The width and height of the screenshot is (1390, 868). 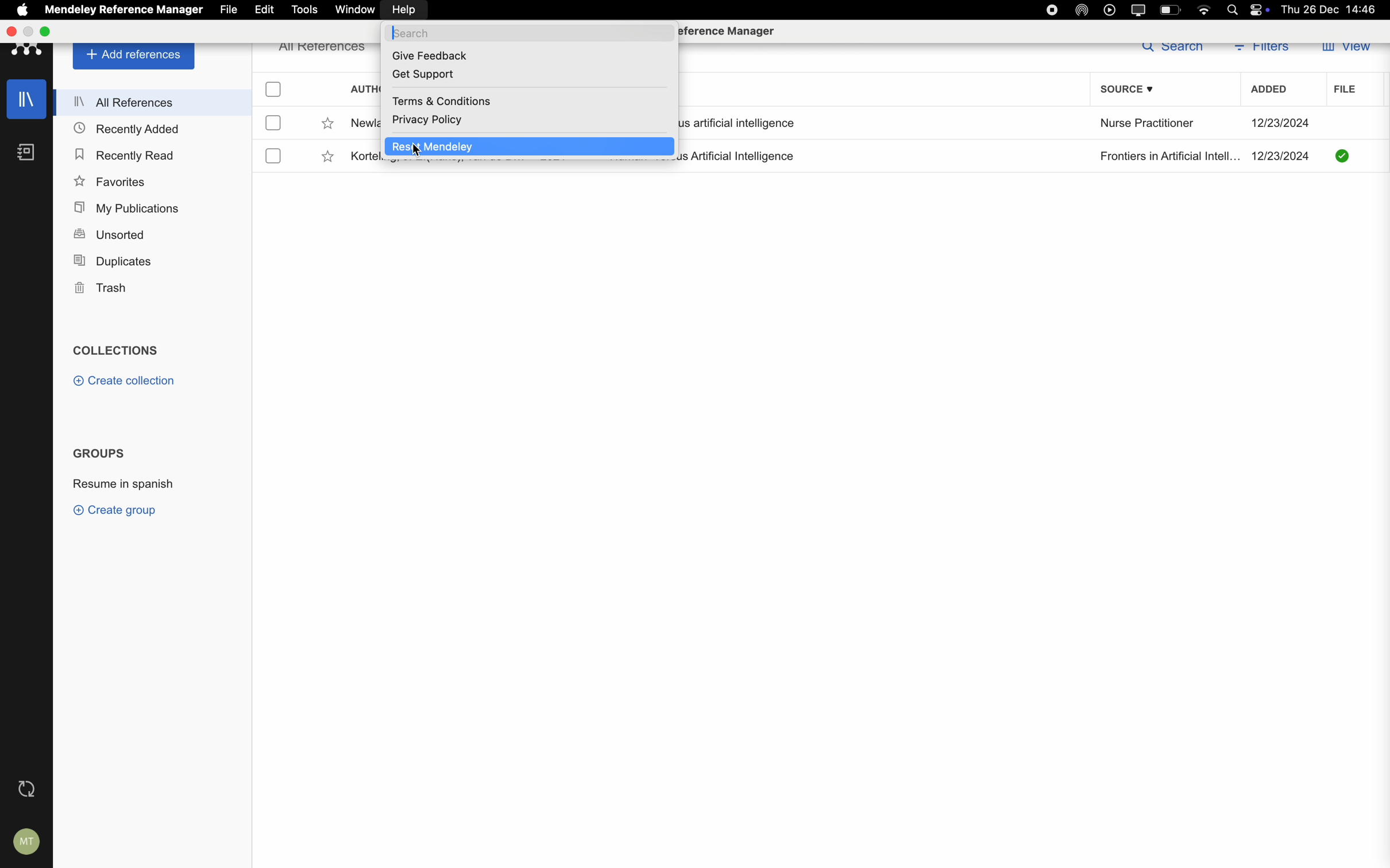 What do you see at coordinates (10, 32) in the screenshot?
I see `close Mendeley` at bounding box center [10, 32].